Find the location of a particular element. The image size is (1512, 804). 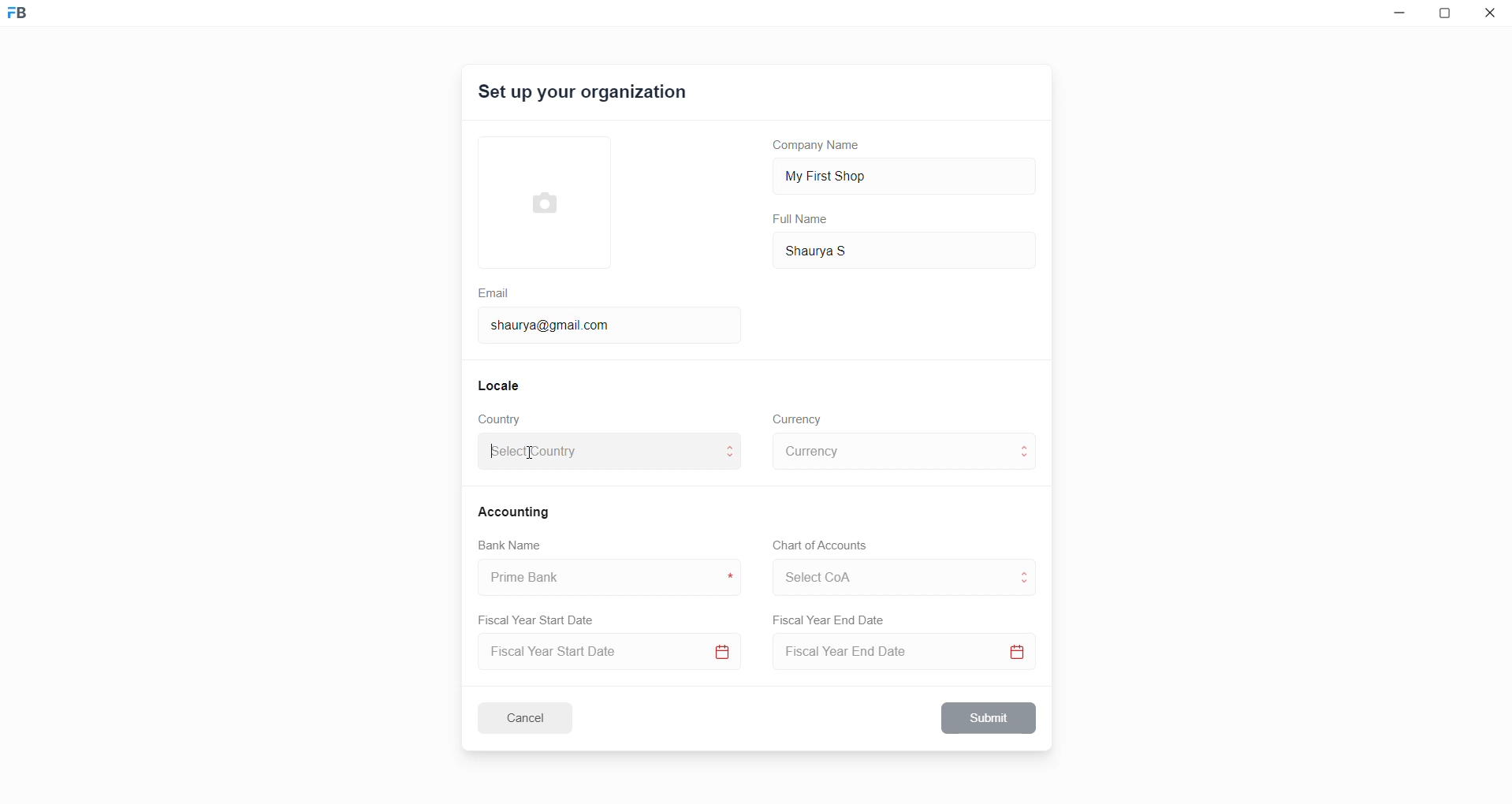

minimize is located at coordinates (1396, 17).